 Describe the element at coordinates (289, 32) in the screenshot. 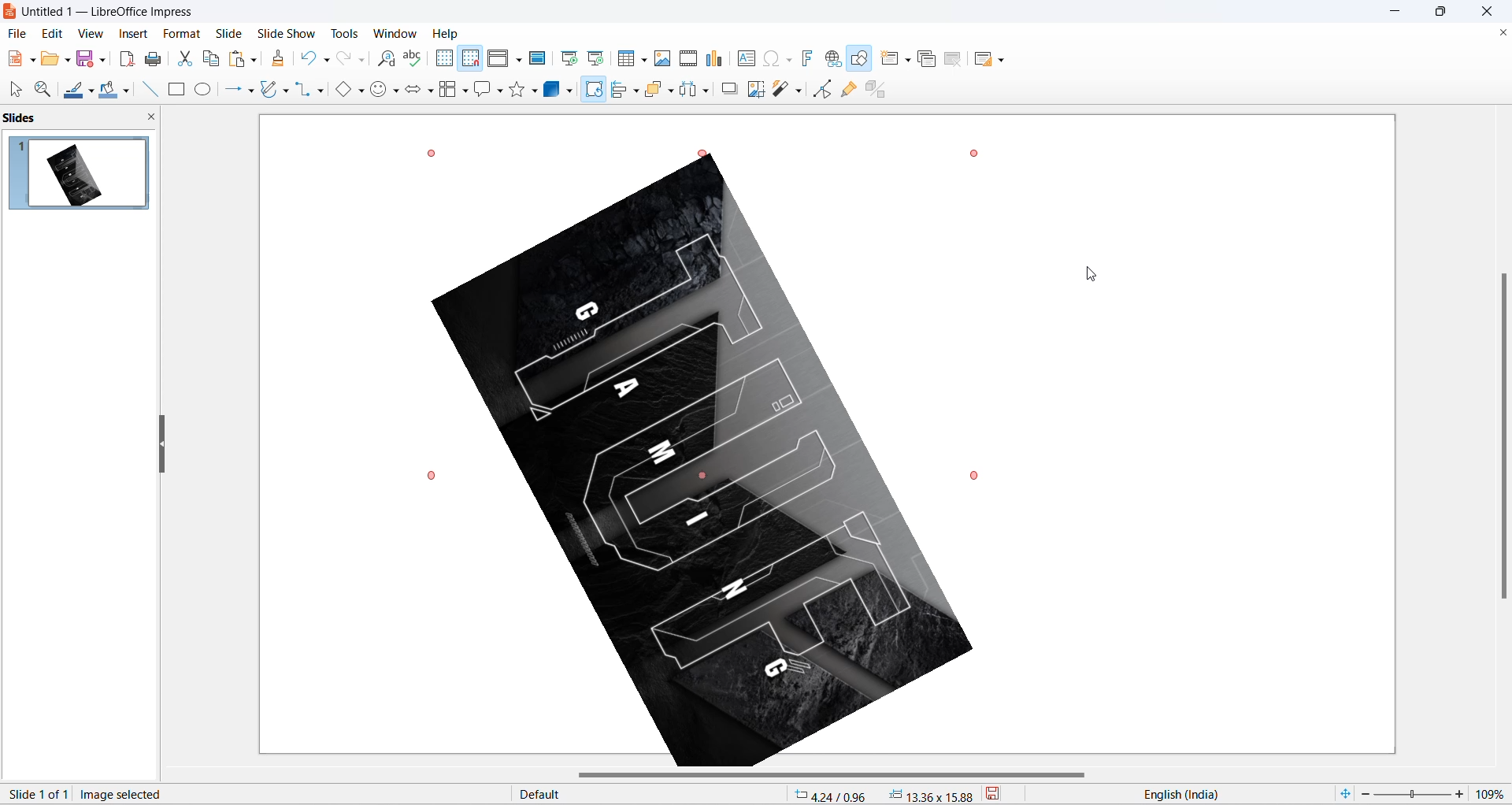

I see `slide show` at that location.